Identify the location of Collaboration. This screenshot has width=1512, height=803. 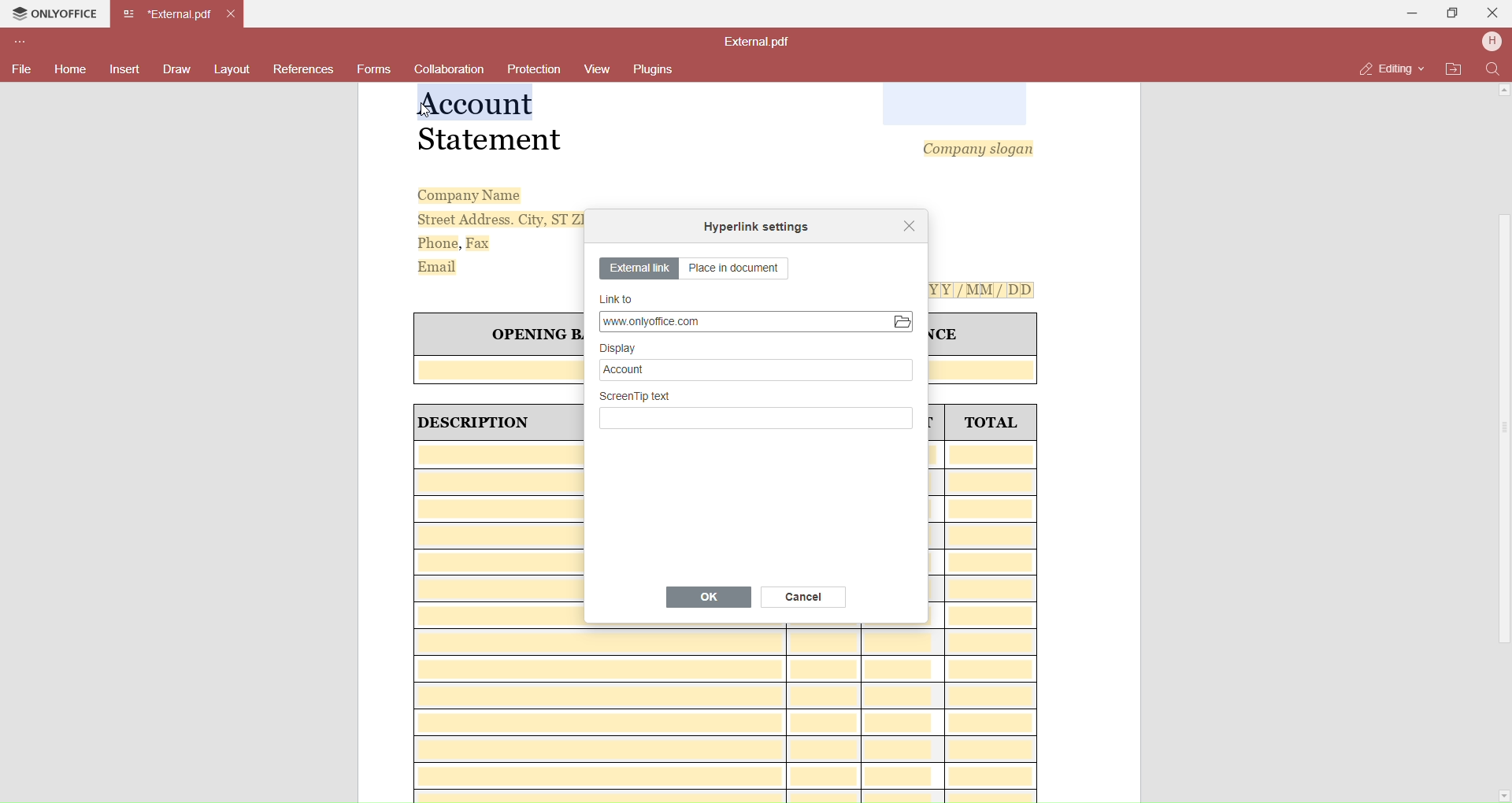
(450, 71).